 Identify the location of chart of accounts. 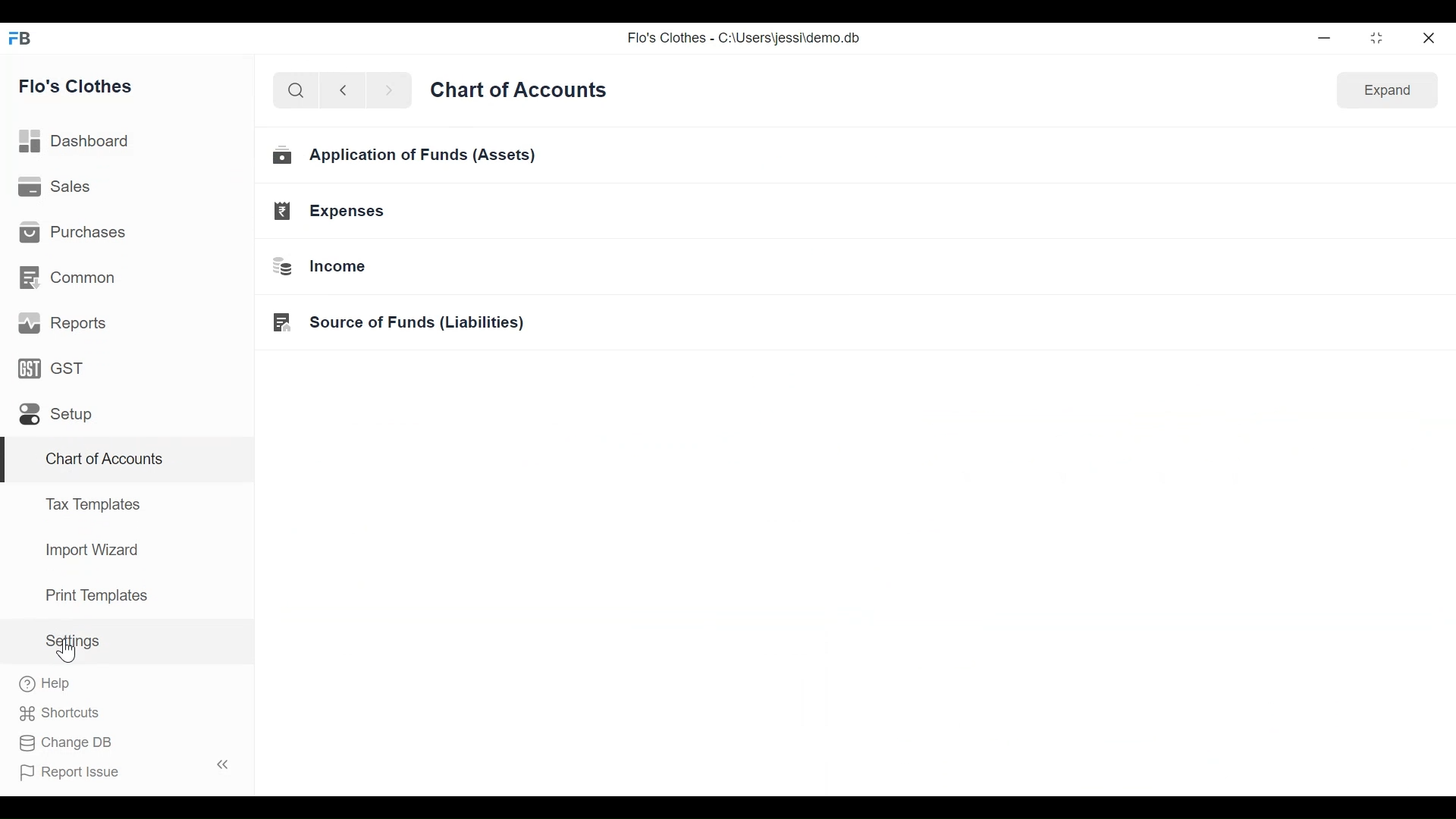
(106, 460).